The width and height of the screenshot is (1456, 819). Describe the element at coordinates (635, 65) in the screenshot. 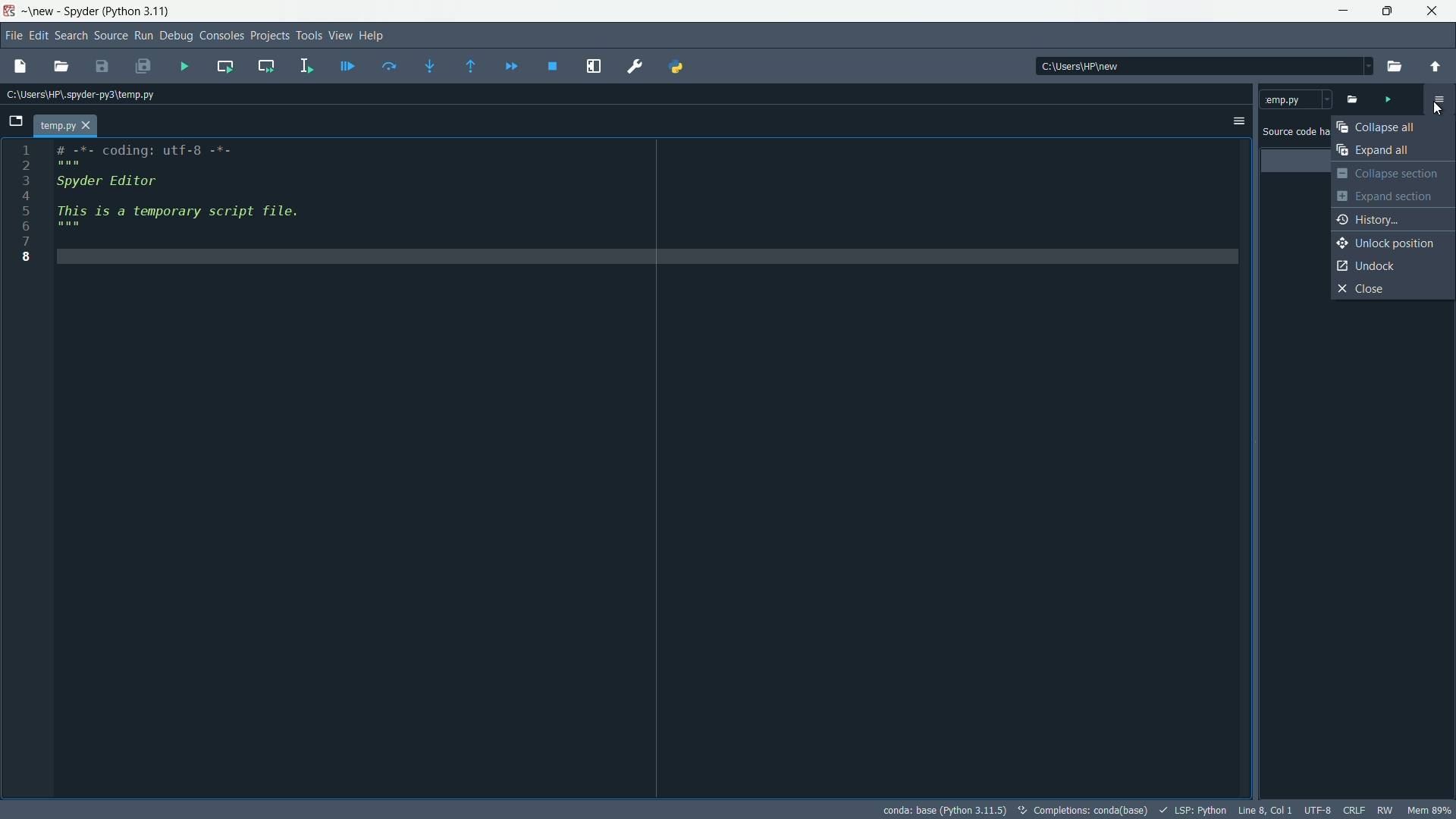

I see `preferences` at that location.